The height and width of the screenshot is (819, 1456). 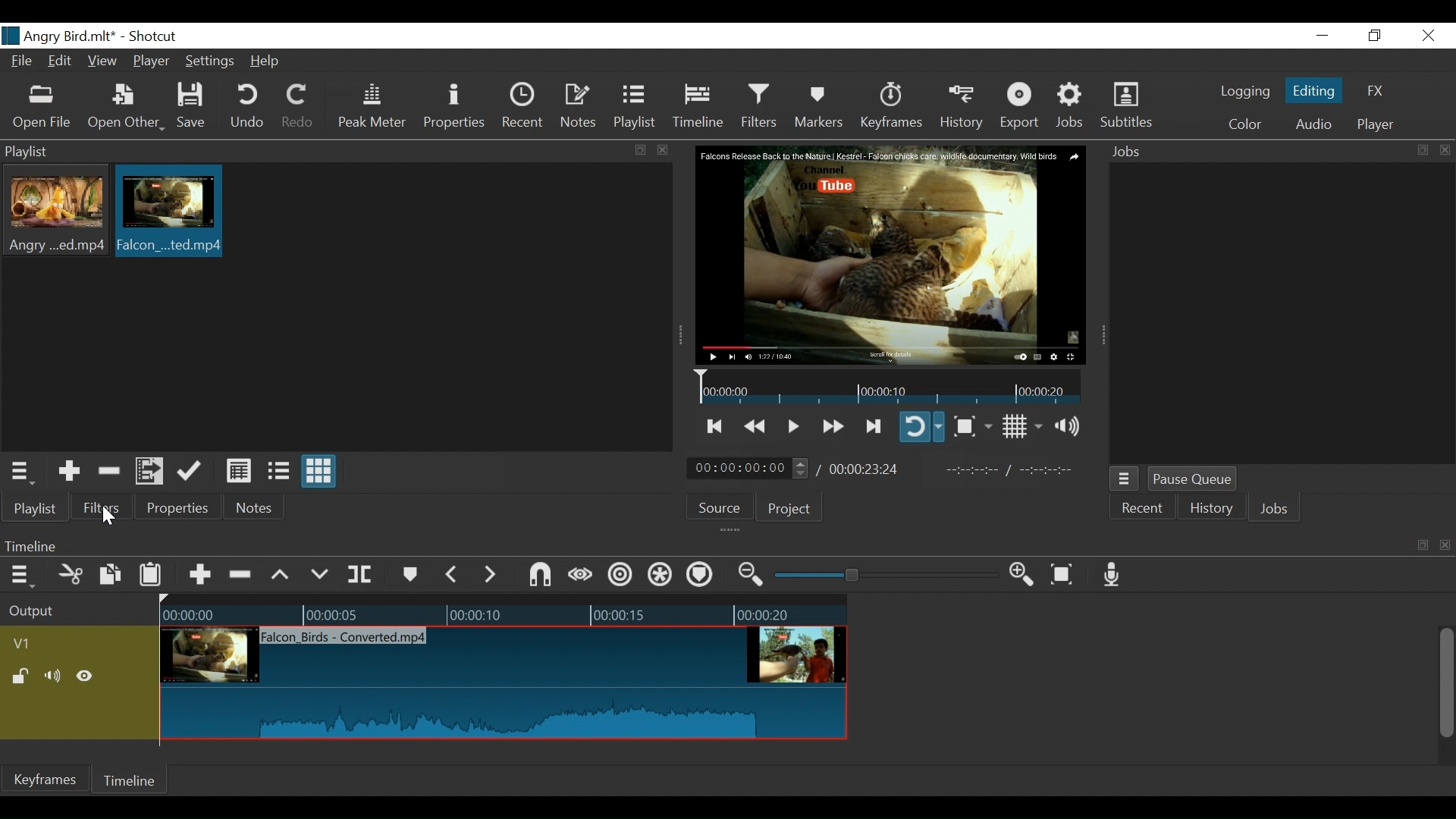 I want to click on Keyframes, so click(x=45, y=779).